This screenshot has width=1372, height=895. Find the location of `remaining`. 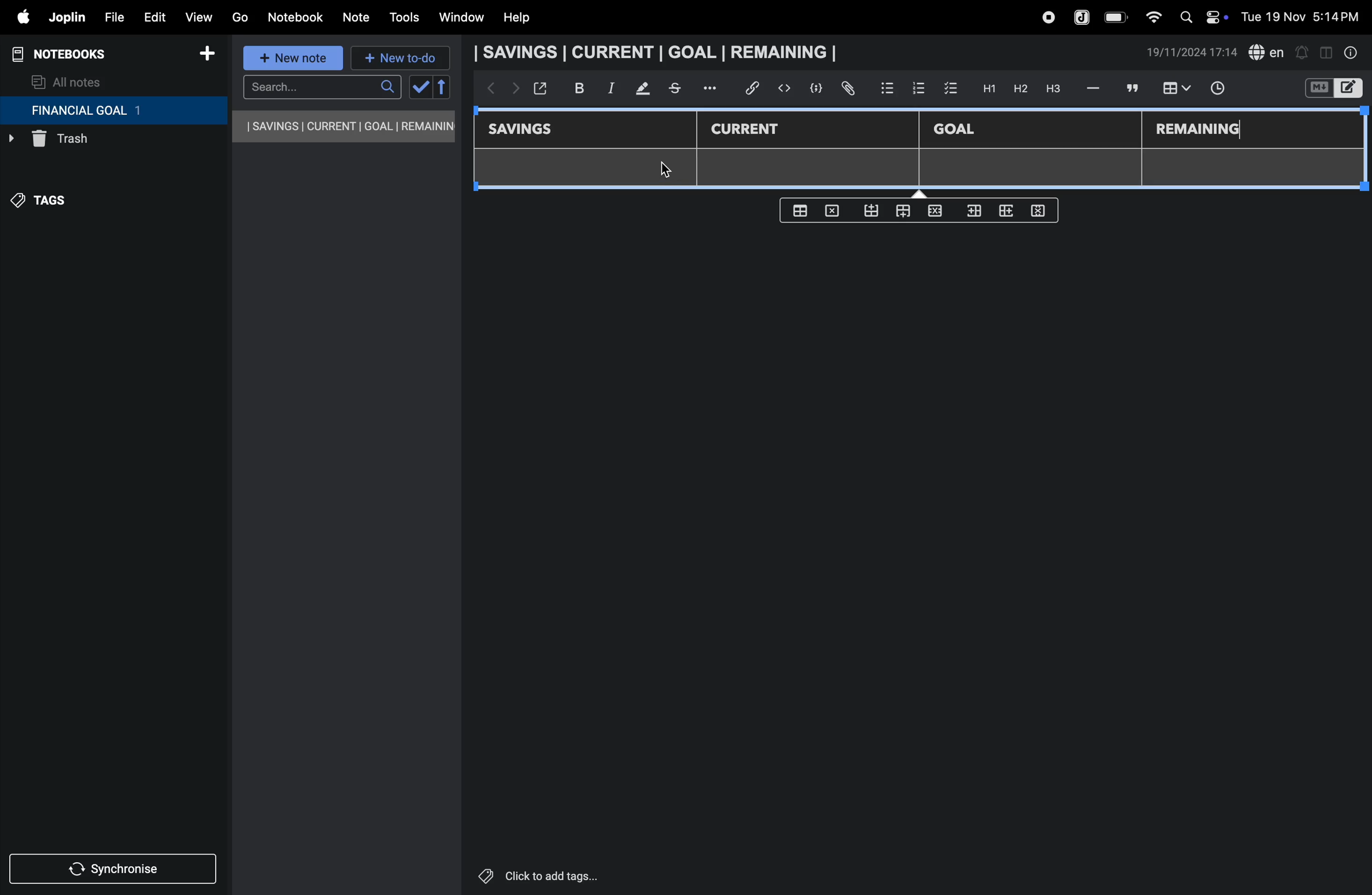

remaining is located at coordinates (1200, 130).